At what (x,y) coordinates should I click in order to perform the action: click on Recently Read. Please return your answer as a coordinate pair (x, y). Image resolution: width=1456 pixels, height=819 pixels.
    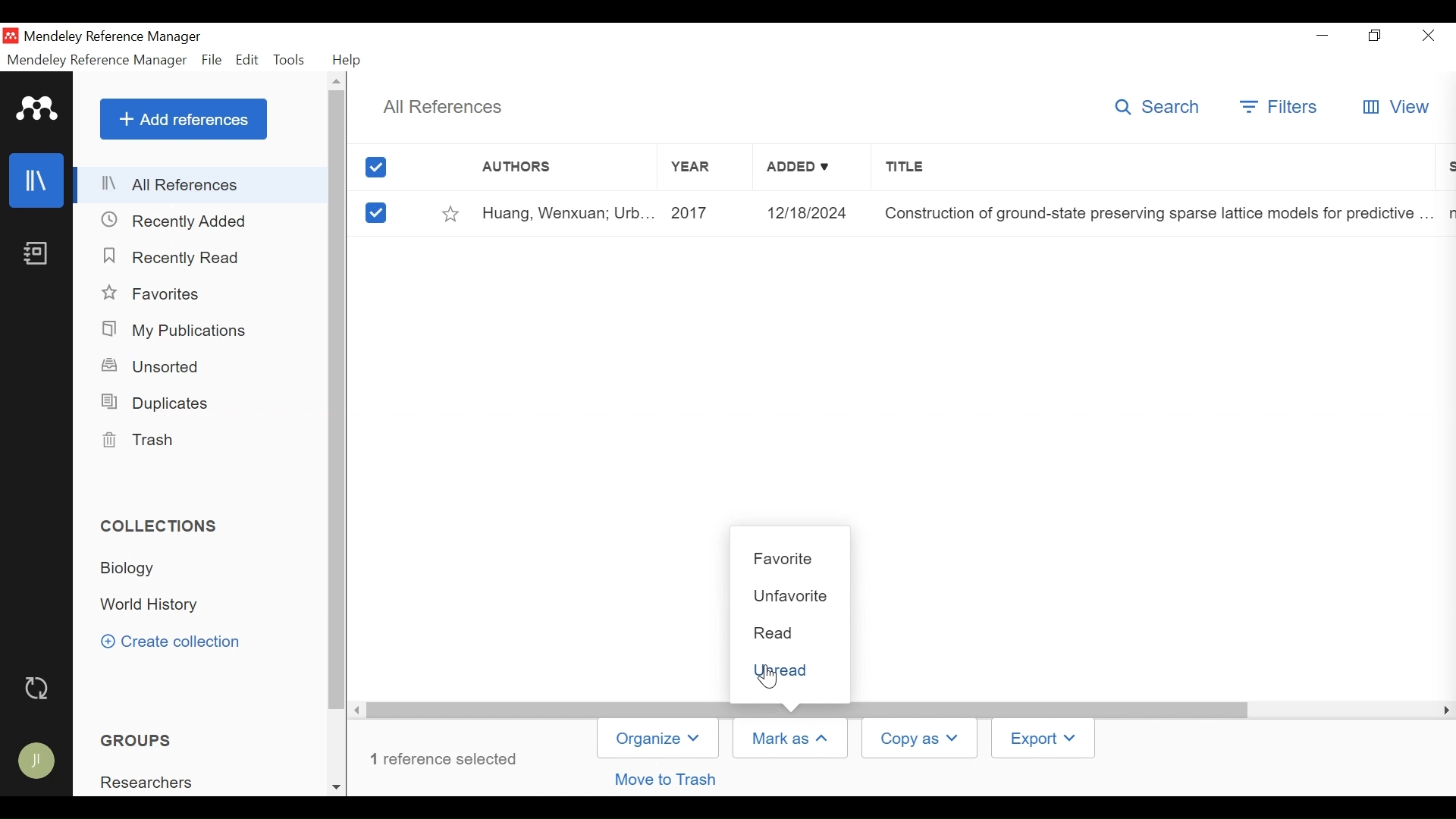
    Looking at the image, I should click on (171, 257).